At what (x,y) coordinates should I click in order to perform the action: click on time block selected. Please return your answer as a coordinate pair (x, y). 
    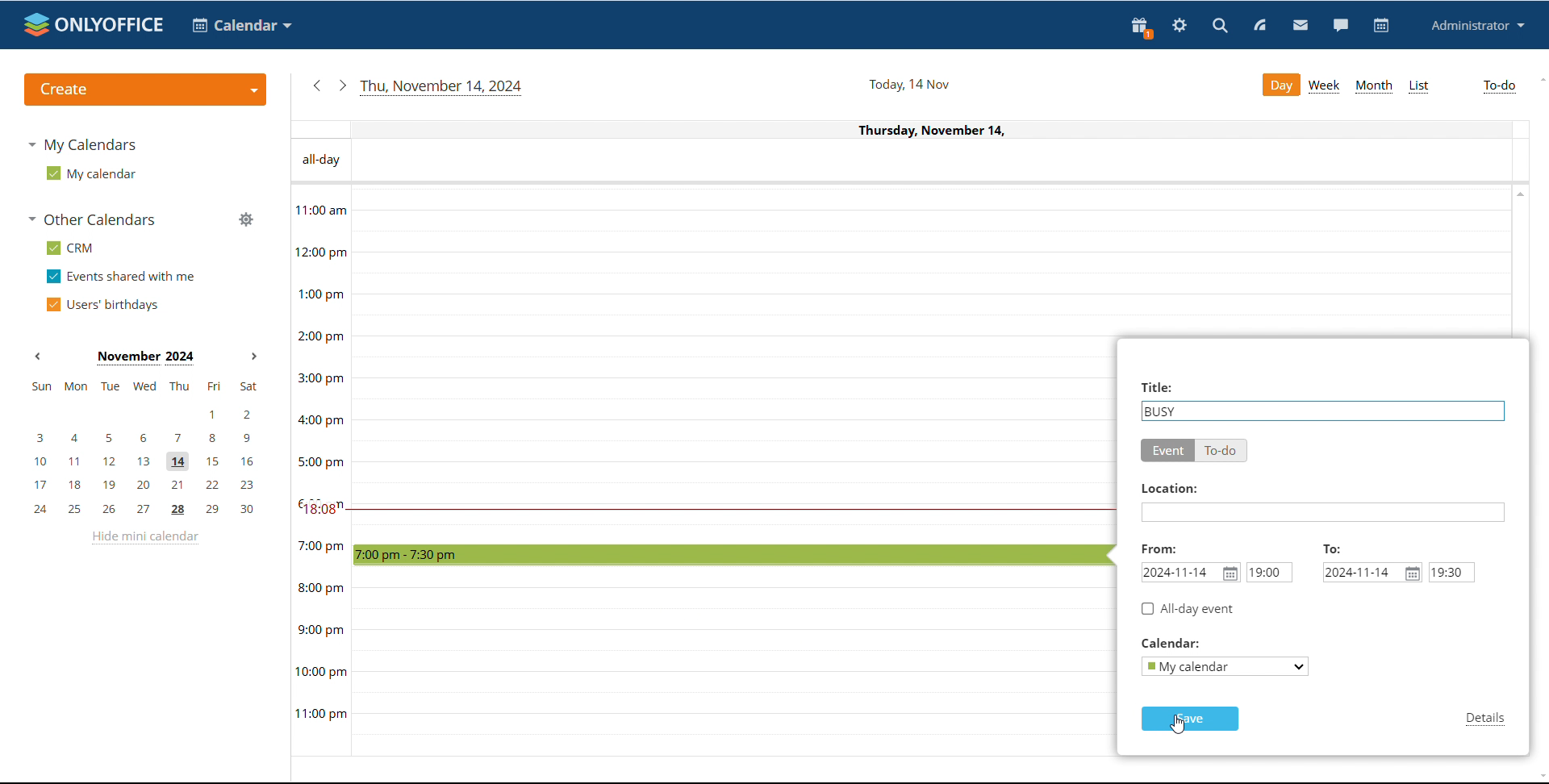
    Looking at the image, I should click on (731, 554).